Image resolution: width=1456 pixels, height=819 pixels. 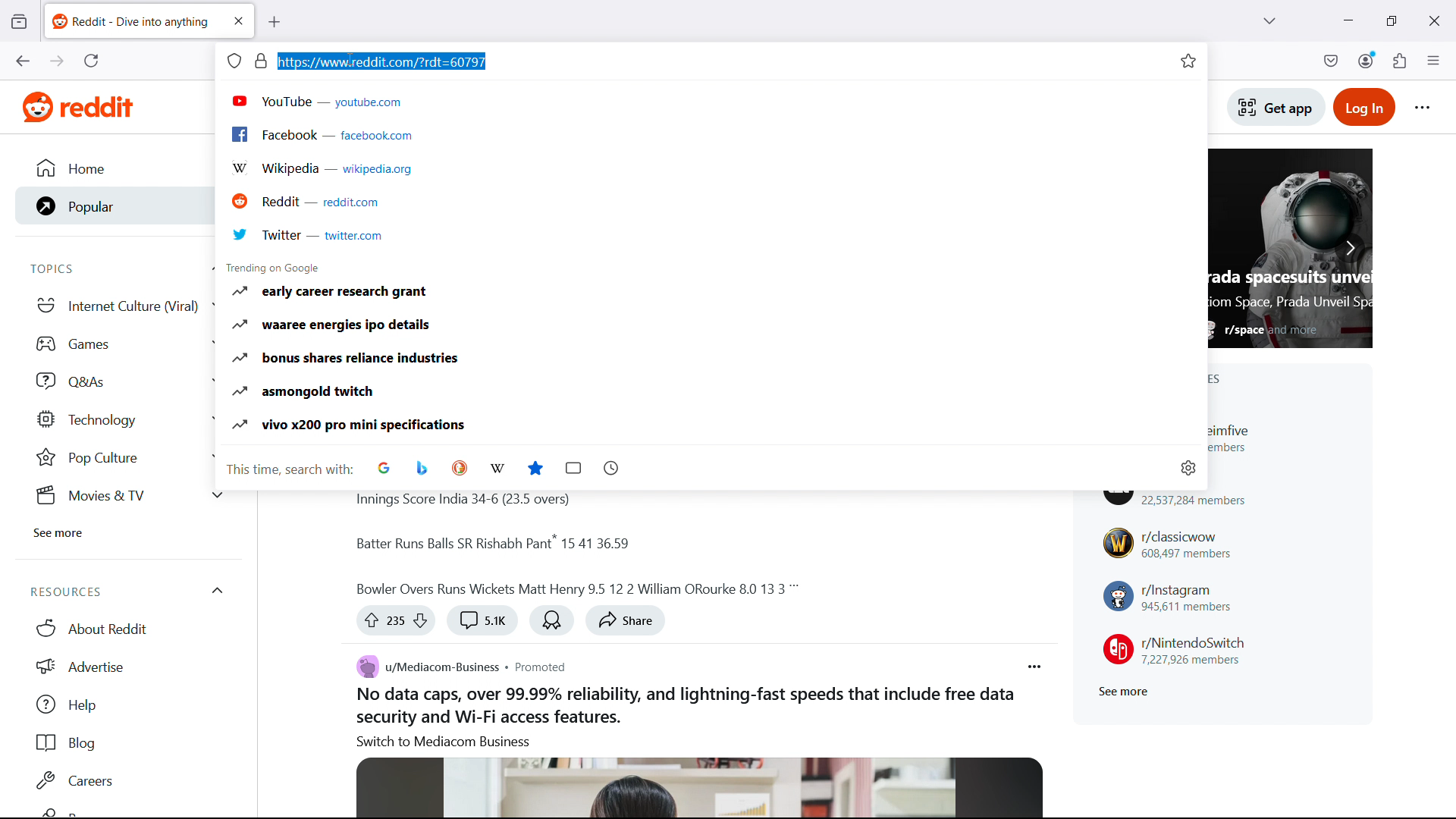 I want to click on r/NintendoSwitch, so click(x=1175, y=648).